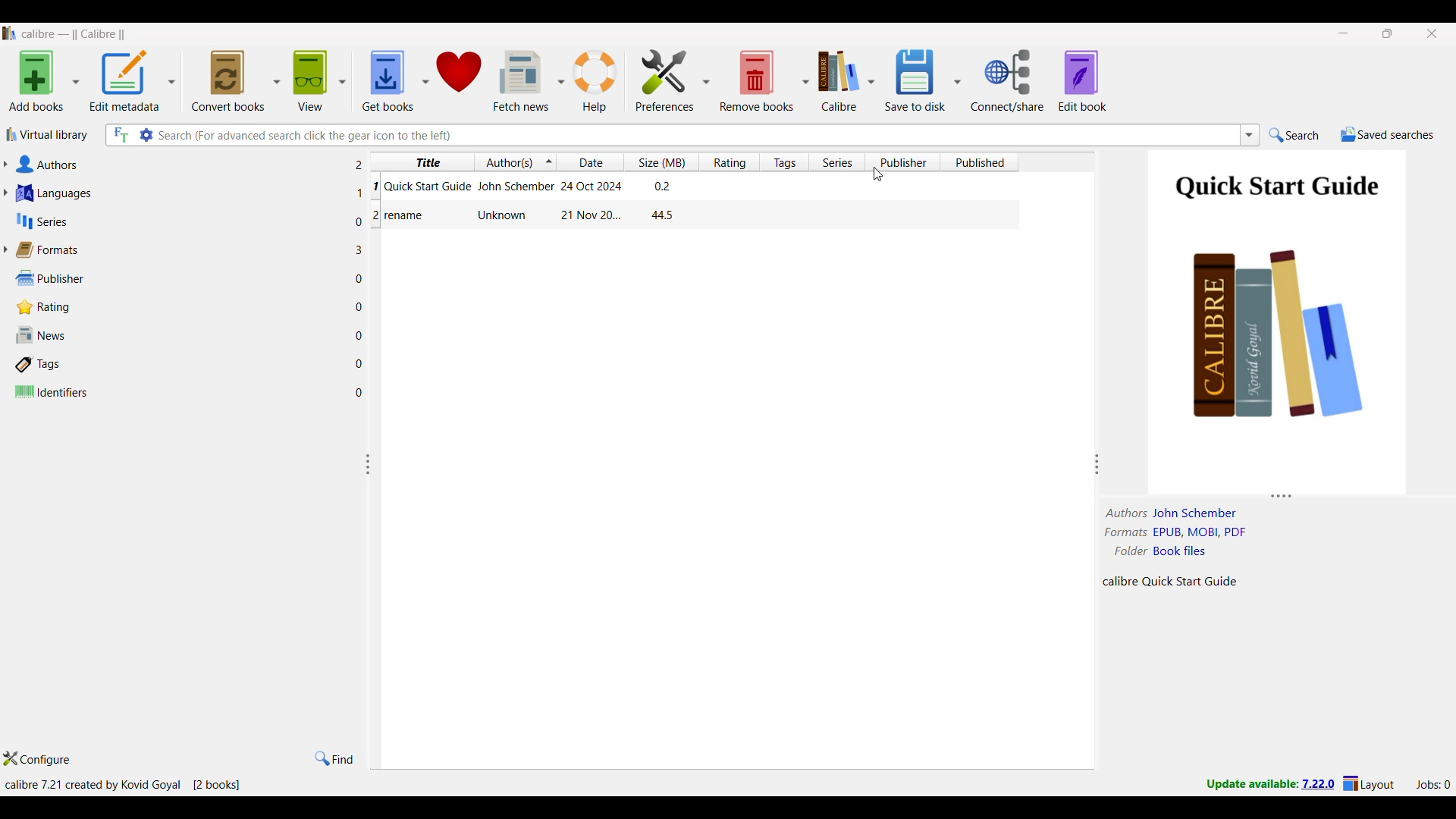 This screenshot has width=1456, height=819. I want to click on Size column, so click(661, 162).